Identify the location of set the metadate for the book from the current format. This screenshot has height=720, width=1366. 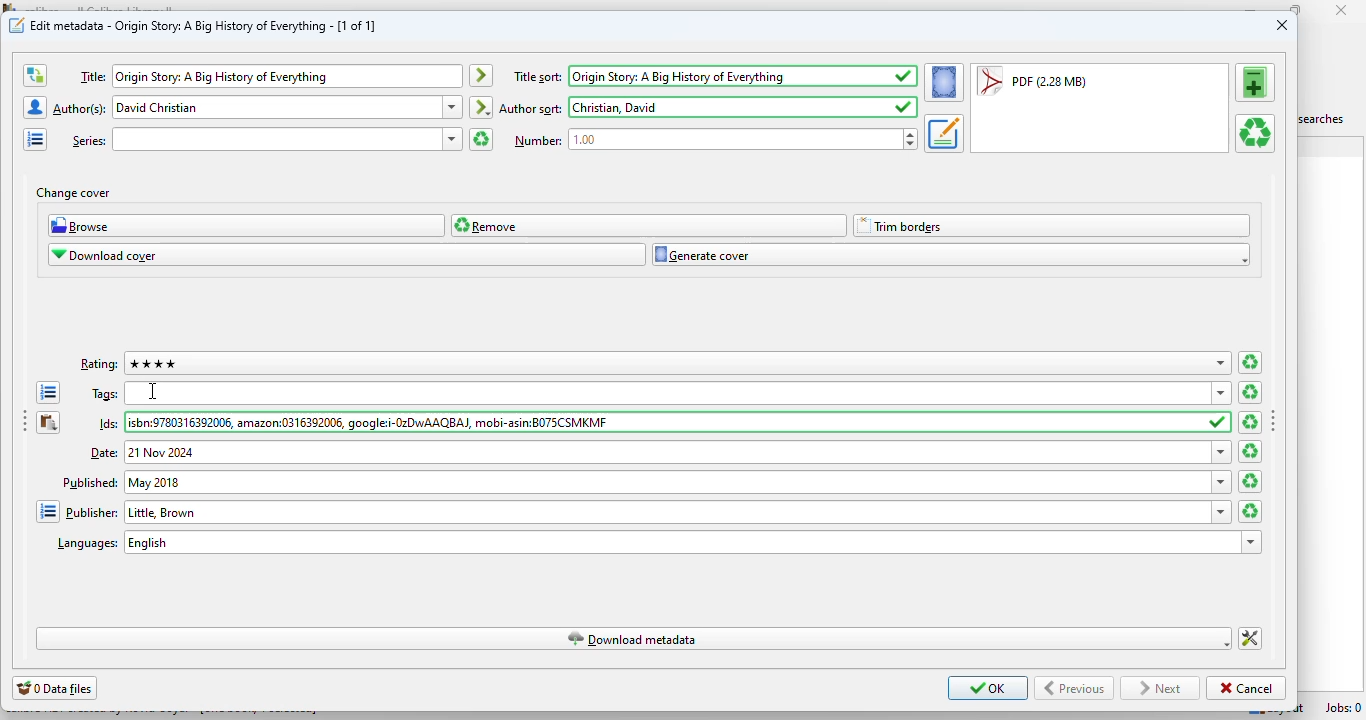
(943, 133).